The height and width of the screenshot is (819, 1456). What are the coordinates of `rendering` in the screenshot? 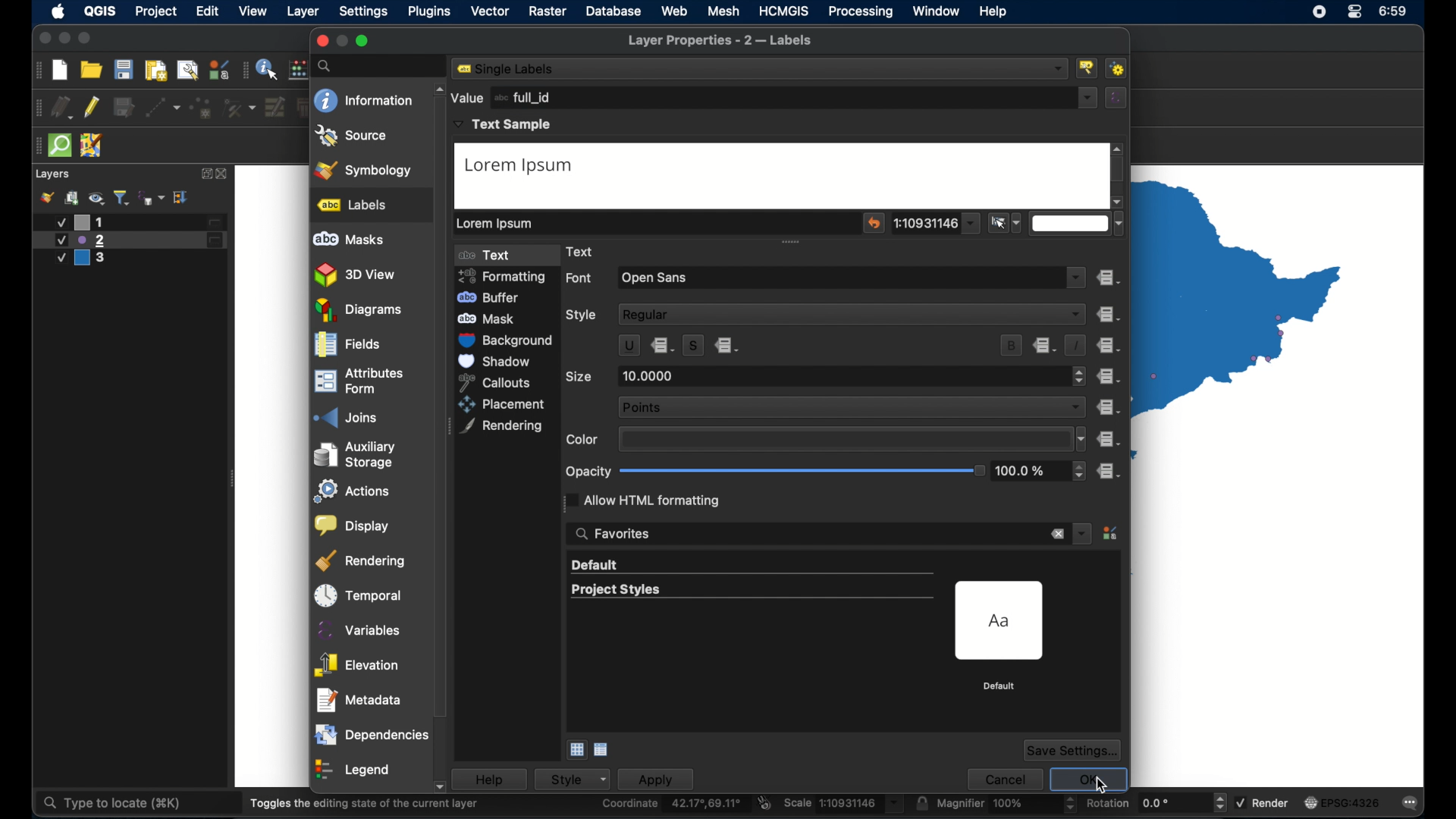 It's located at (361, 557).